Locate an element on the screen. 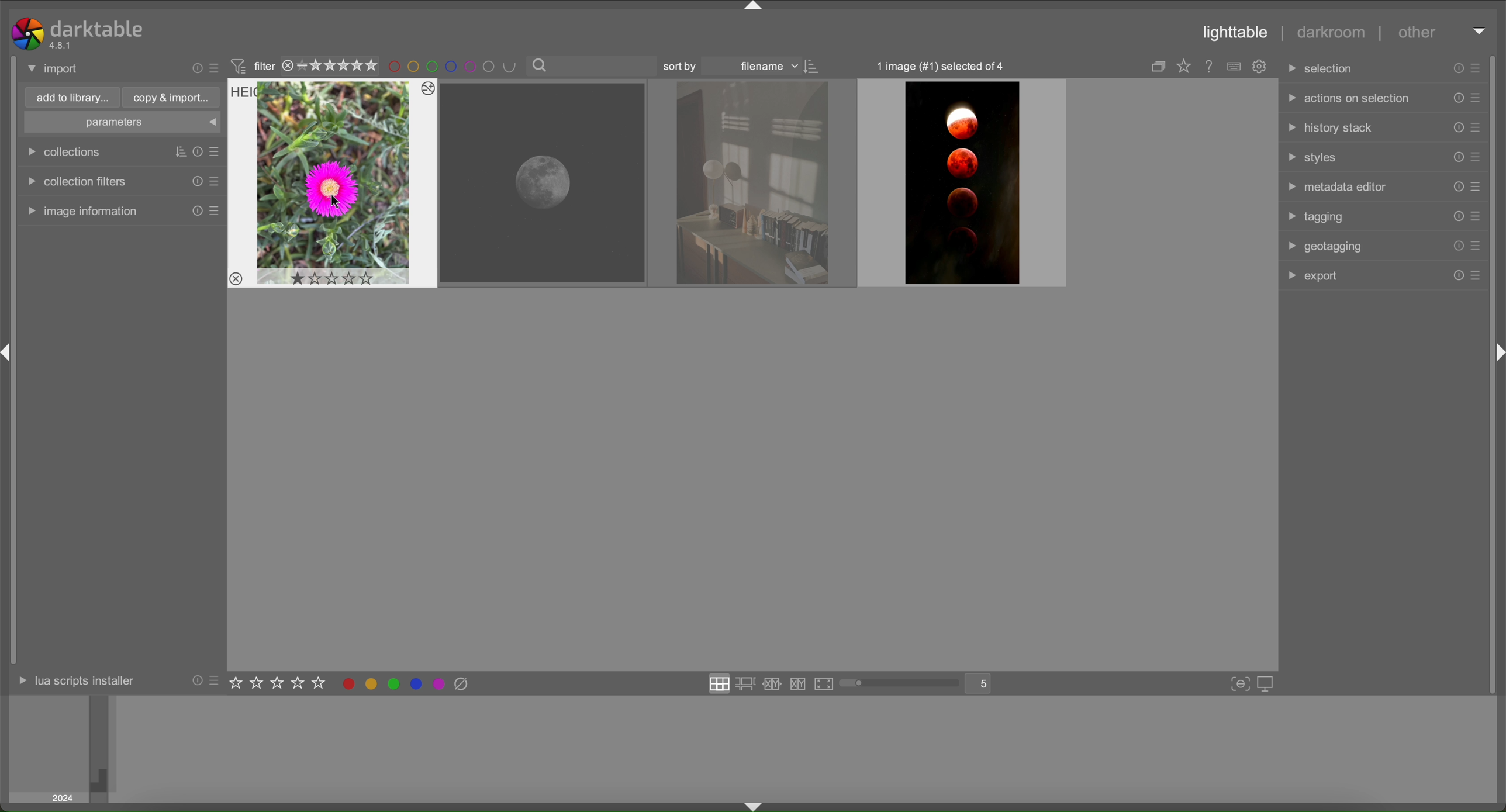 Image resolution: width=1506 pixels, height=812 pixels. Parameters is located at coordinates (122, 122).